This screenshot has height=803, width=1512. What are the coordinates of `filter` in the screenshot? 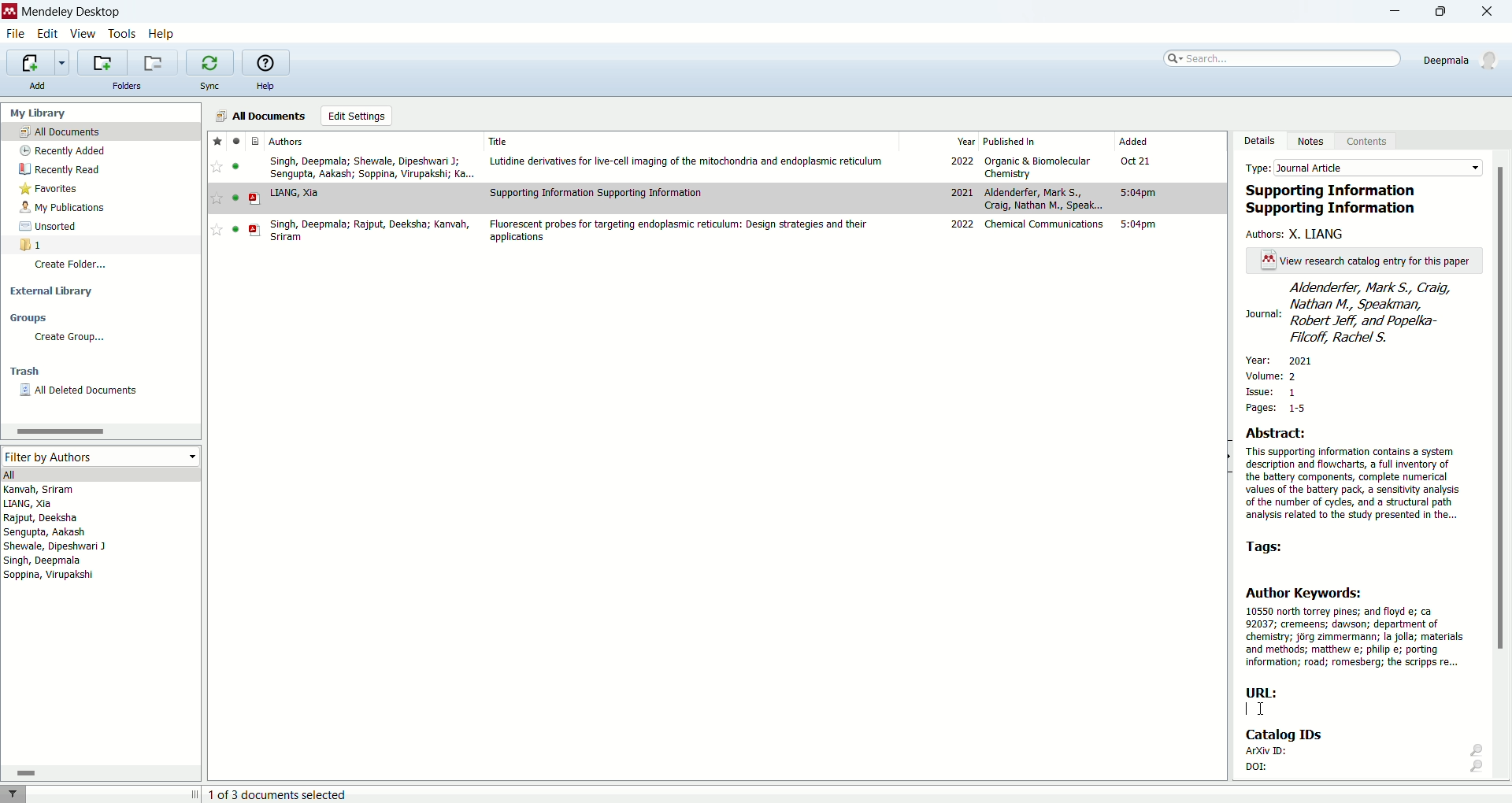 It's located at (17, 794).